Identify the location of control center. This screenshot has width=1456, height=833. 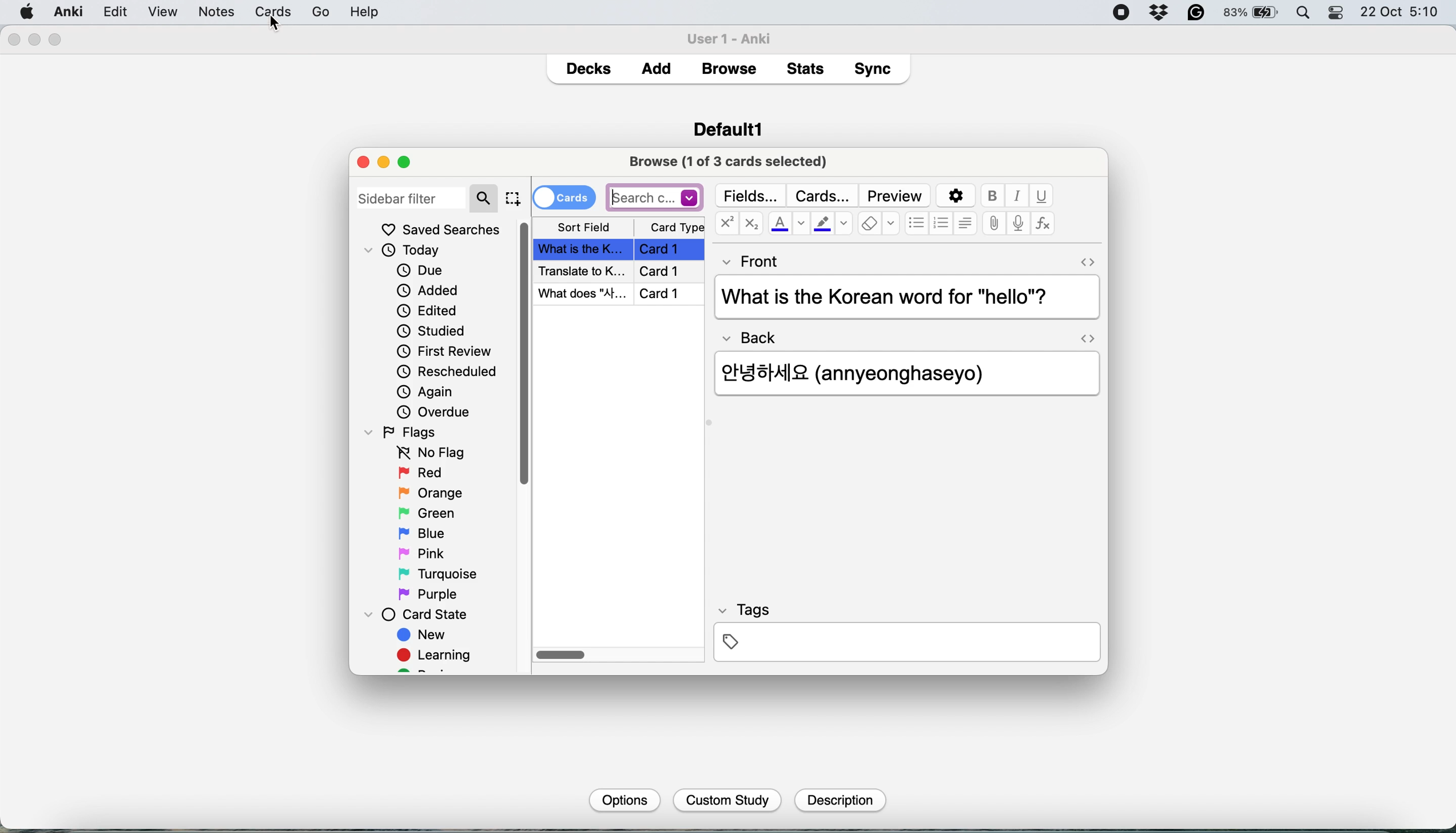
(1337, 13).